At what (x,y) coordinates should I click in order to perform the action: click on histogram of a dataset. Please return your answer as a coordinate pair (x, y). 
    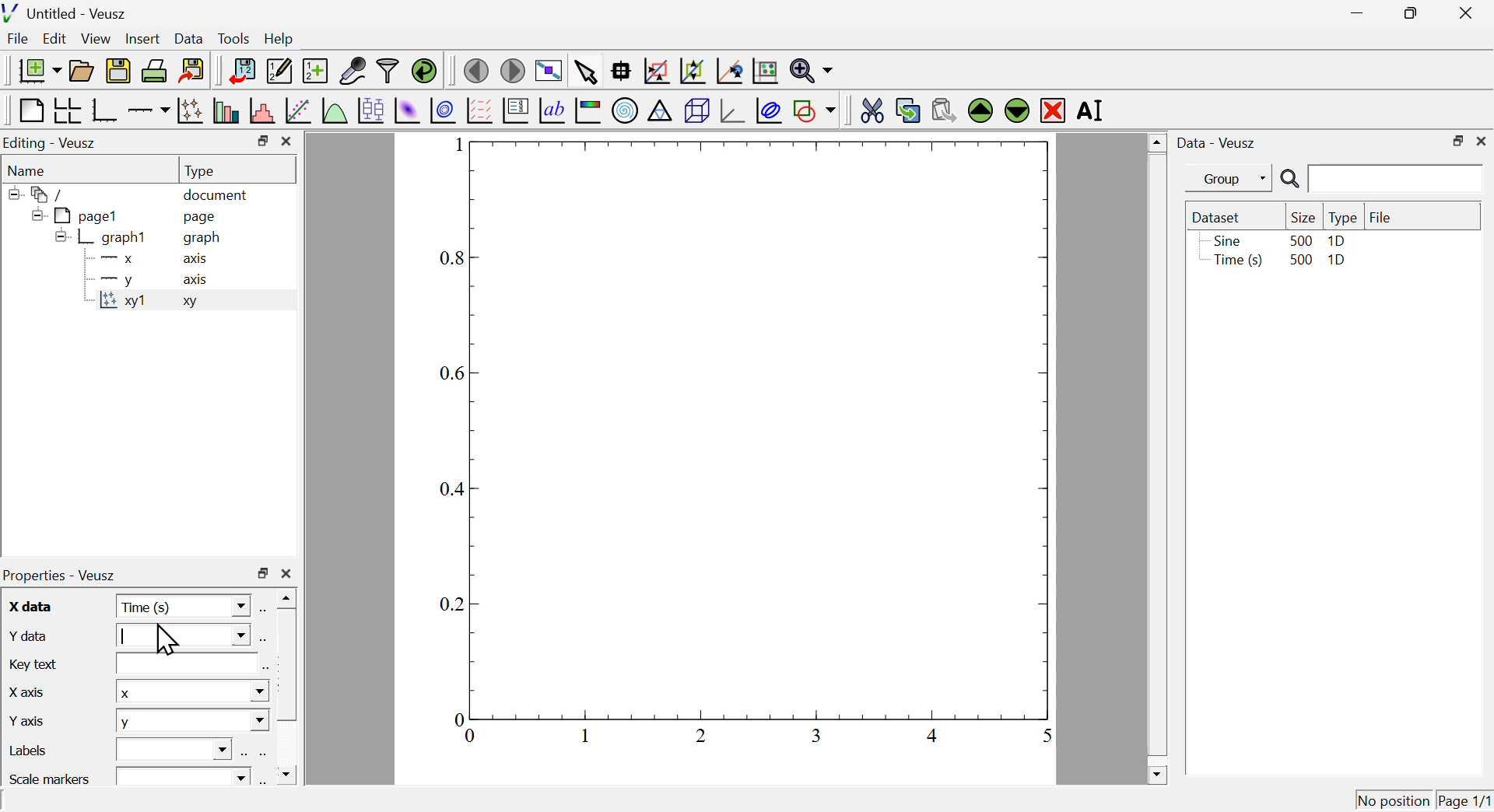
    Looking at the image, I should click on (261, 110).